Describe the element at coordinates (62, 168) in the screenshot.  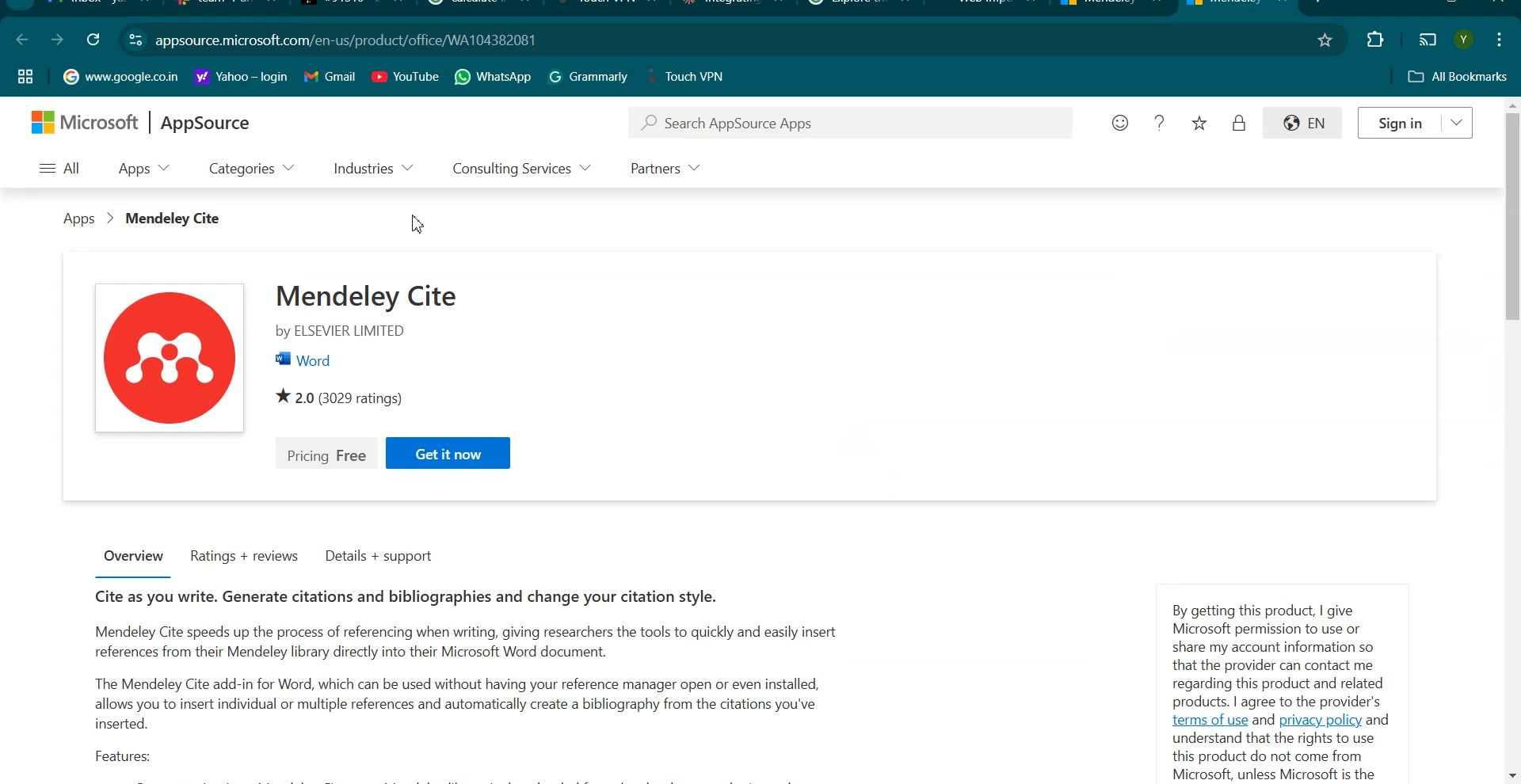
I see `All` at that location.